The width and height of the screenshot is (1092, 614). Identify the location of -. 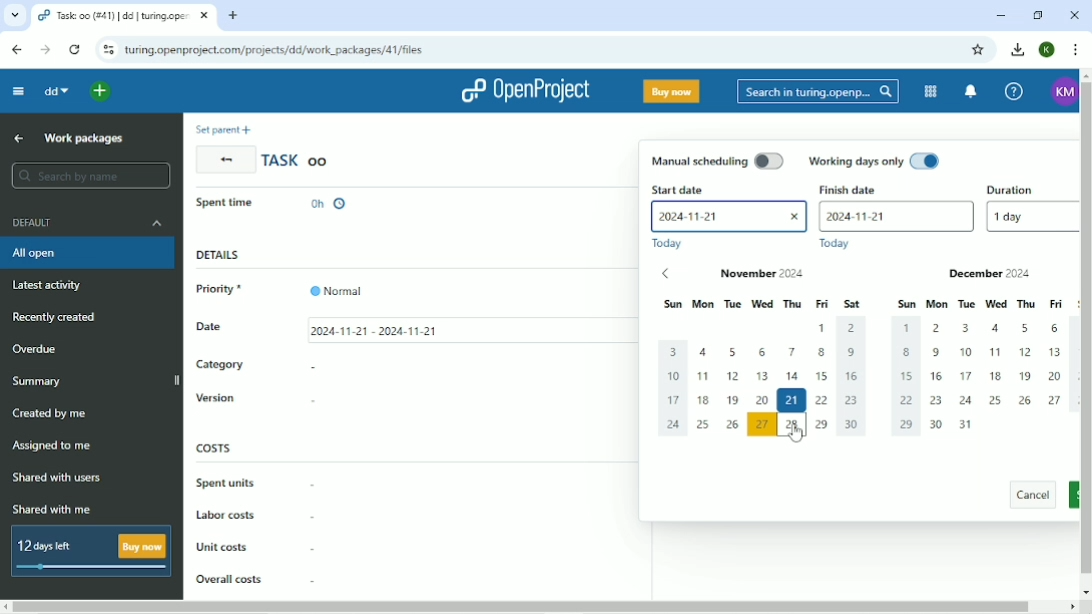
(314, 368).